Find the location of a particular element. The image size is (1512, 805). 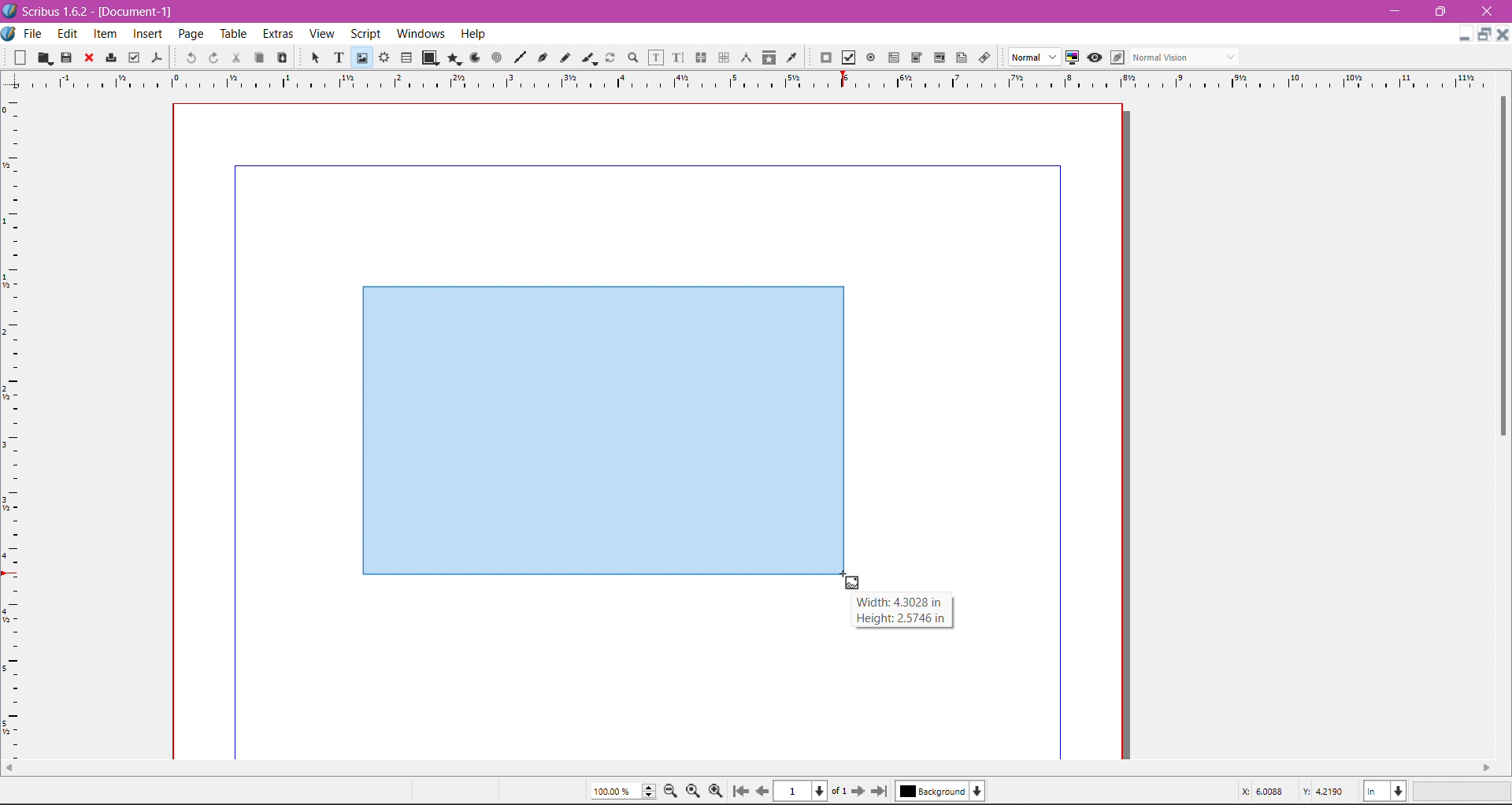

Zoom Out by the stepping value in Tools preferences is located at coordinates (672, 791).